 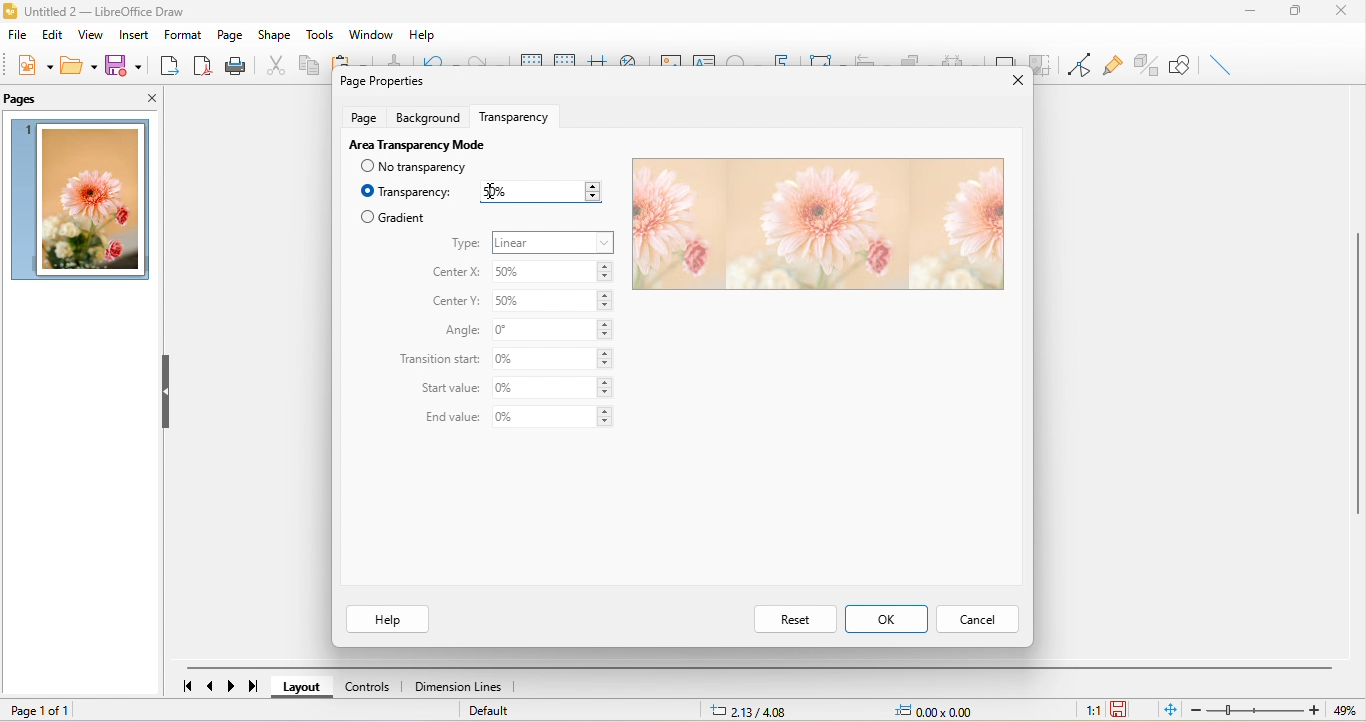 I want to click on close, so click(x=138, y=96).